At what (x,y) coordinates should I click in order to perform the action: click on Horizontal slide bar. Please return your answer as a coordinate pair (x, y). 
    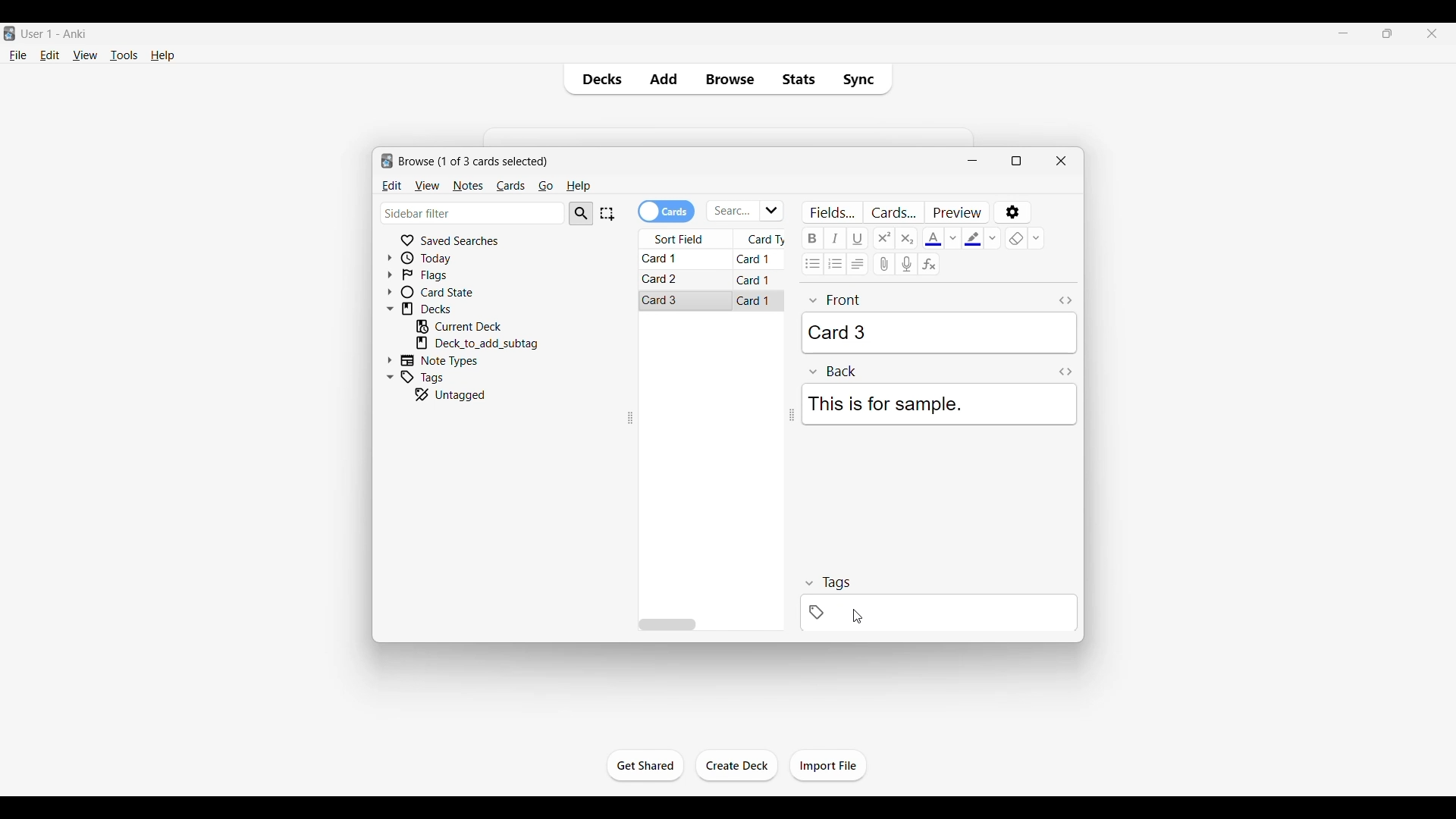
    Looking at the image, I should click on (667, 625).